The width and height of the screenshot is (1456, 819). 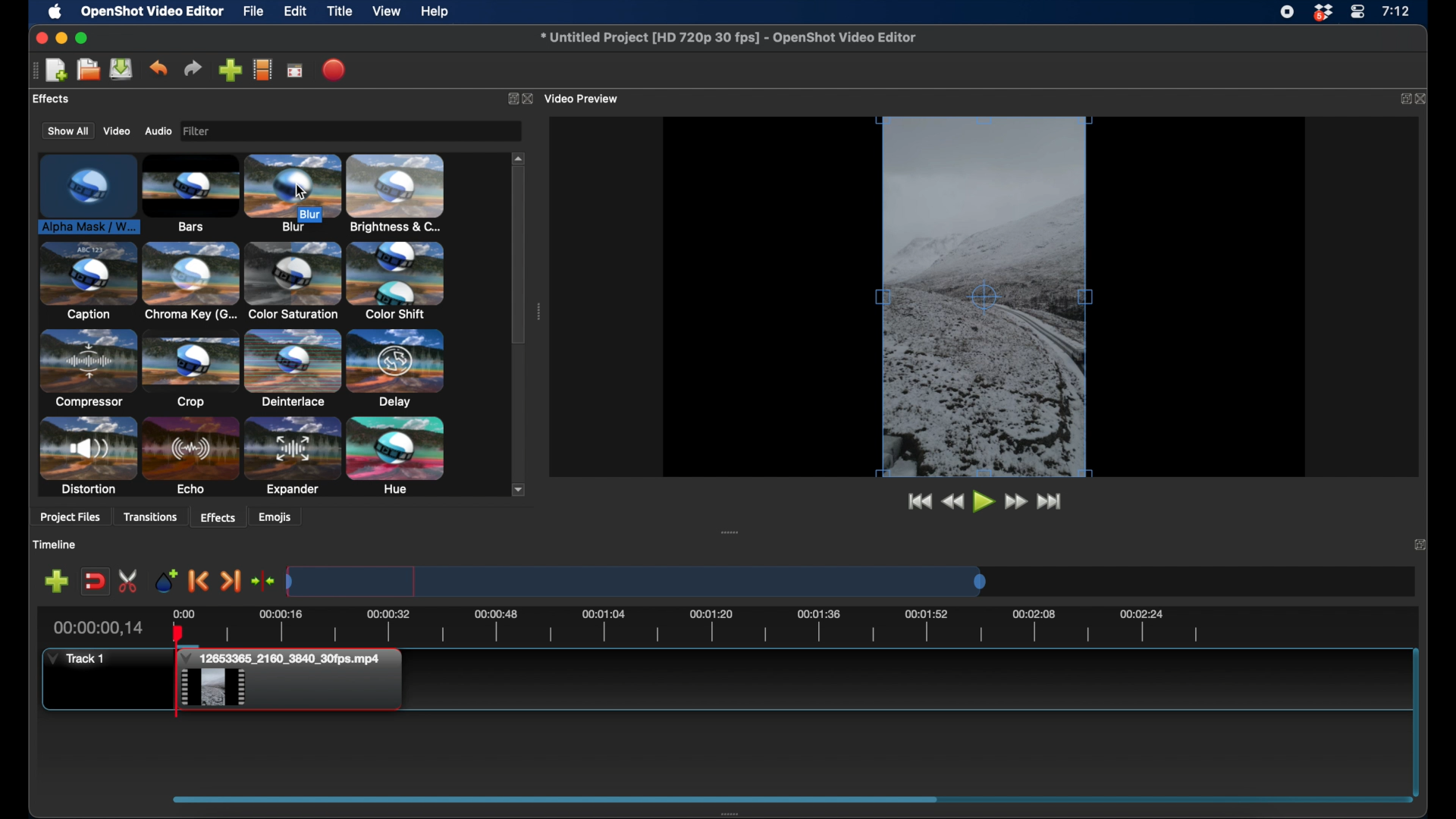 What do you see at coordinates (295, 681) in the screenshot?
I see `File added to timeline` at bounding box center [295, 681].